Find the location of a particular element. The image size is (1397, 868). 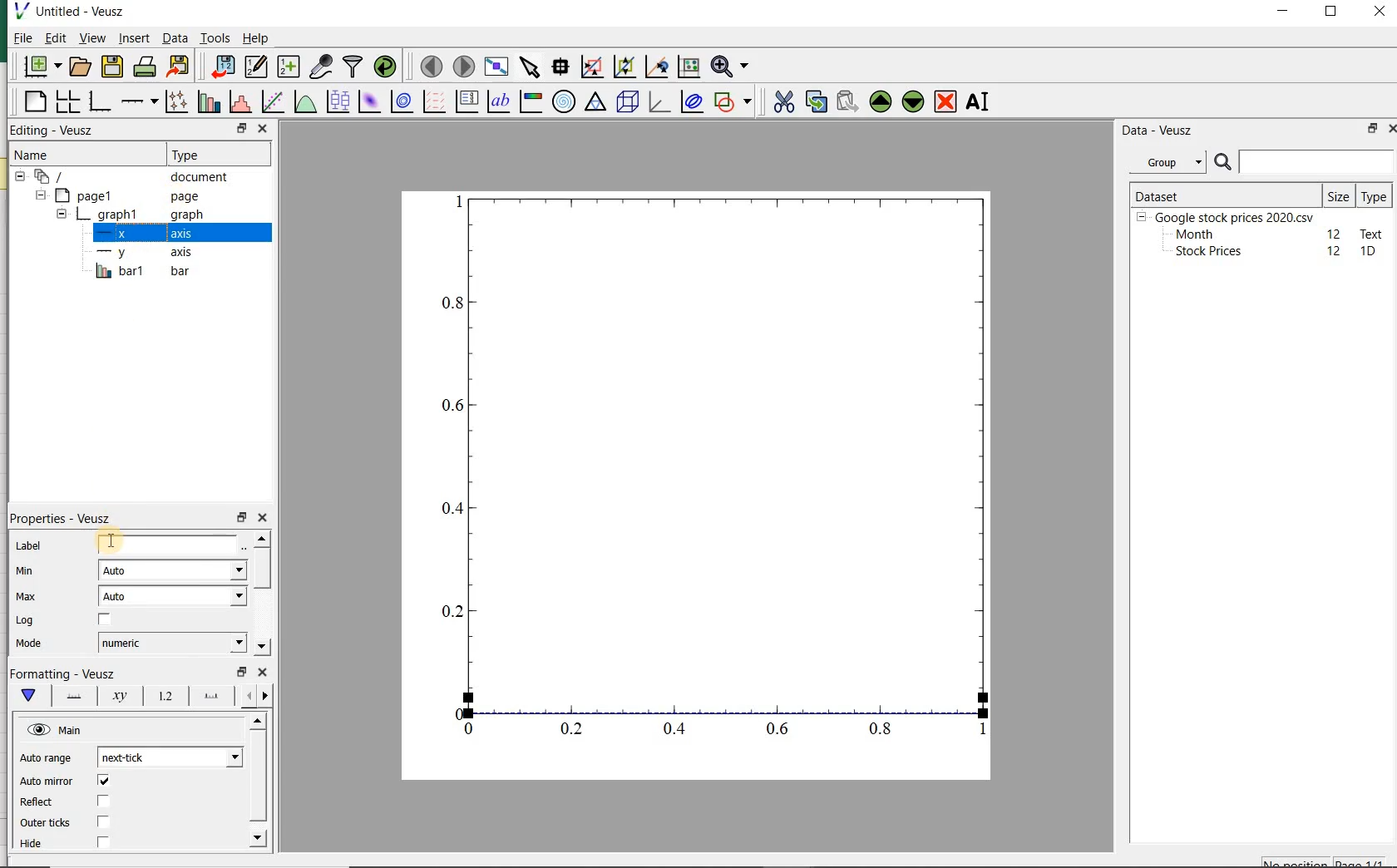

plot a 2d dataset as an image is located at coordinates (368, 101).